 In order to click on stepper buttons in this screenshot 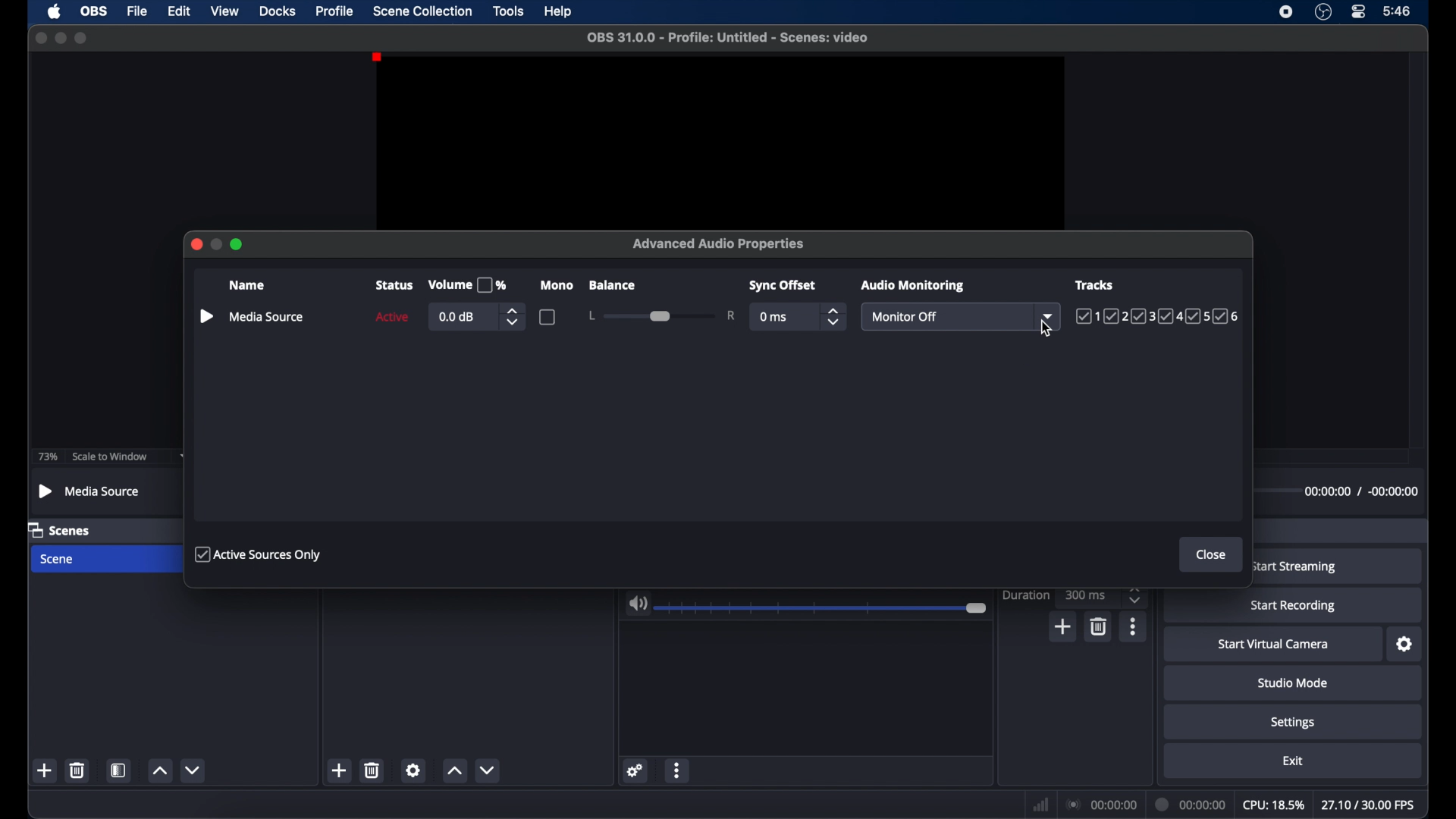, I will do `click(513, 316)`.